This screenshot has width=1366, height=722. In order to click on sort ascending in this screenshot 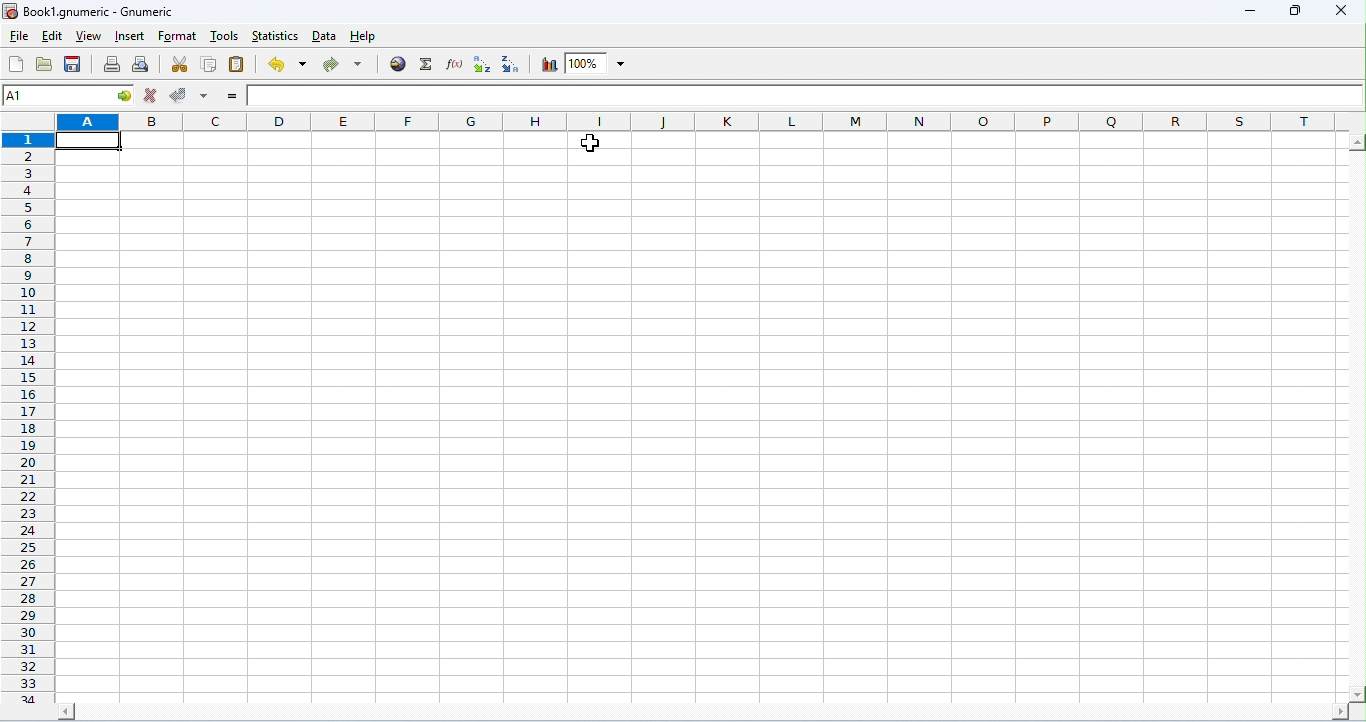, I will do `click(484, 65)`.